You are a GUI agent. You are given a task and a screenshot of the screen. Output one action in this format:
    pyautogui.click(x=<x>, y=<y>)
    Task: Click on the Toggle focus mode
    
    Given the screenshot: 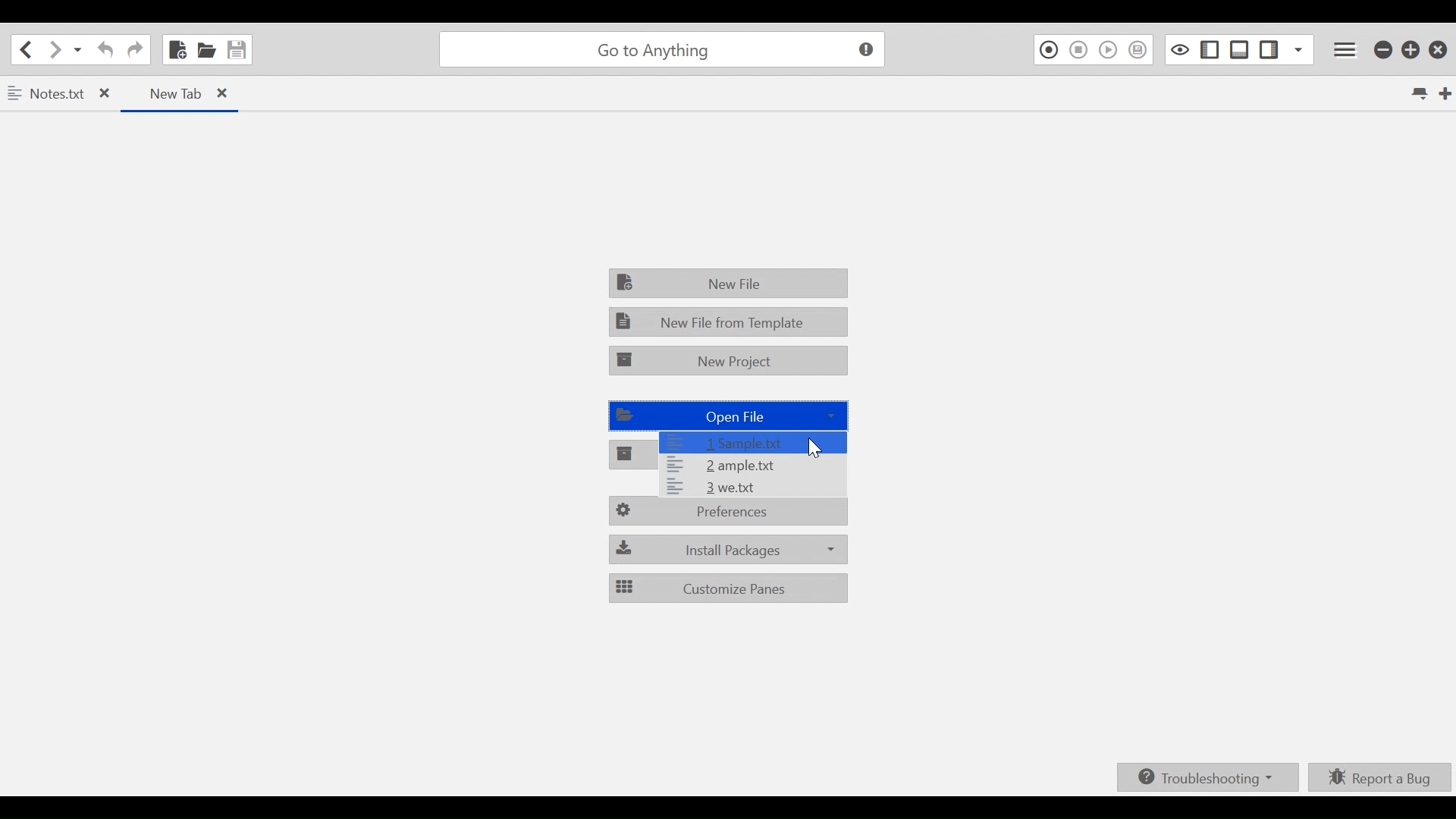 What is the action you would take?
    pyautogui.click(x=1180, y=49)
    